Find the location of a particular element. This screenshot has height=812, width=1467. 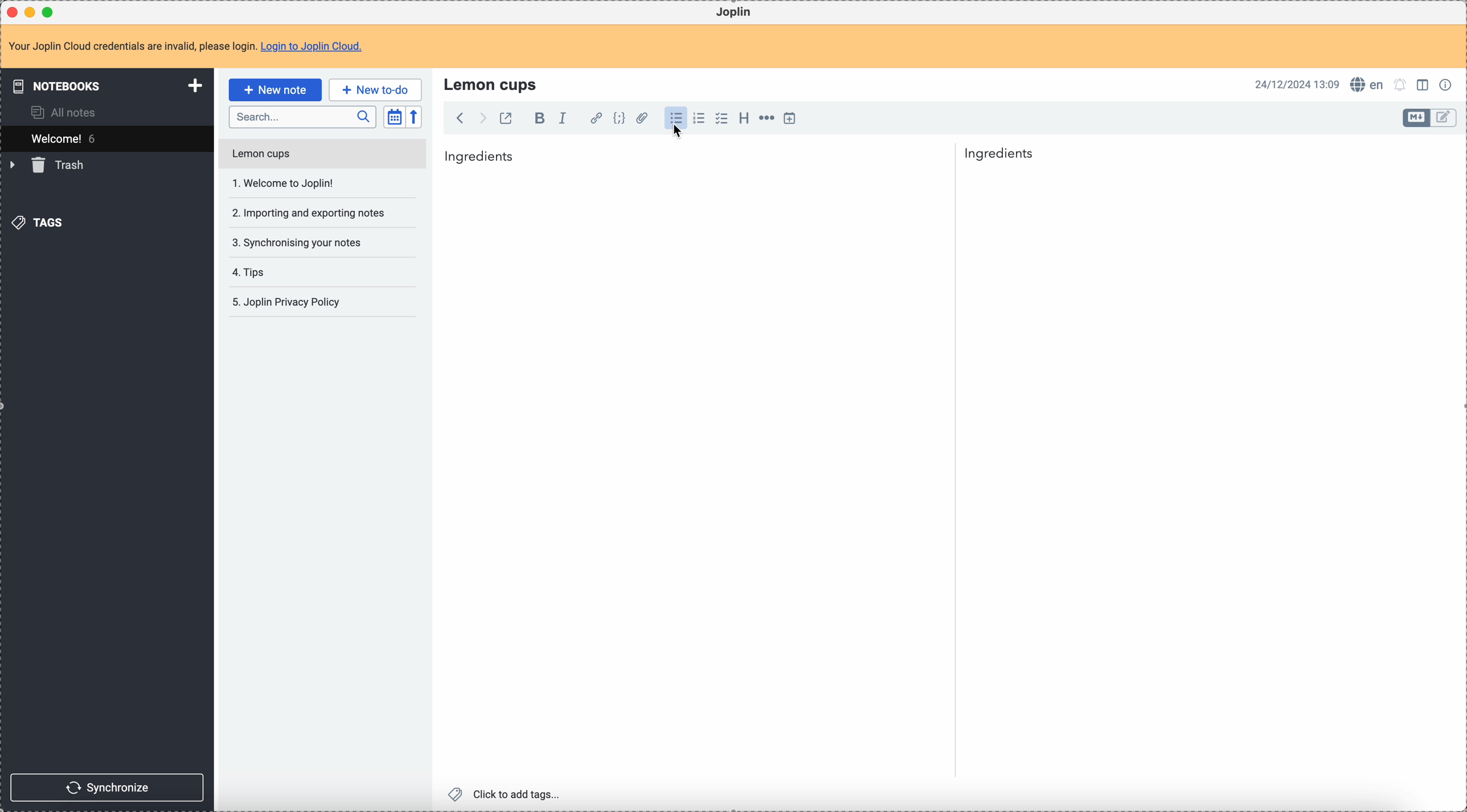

close is located at coordinates (14, 13).